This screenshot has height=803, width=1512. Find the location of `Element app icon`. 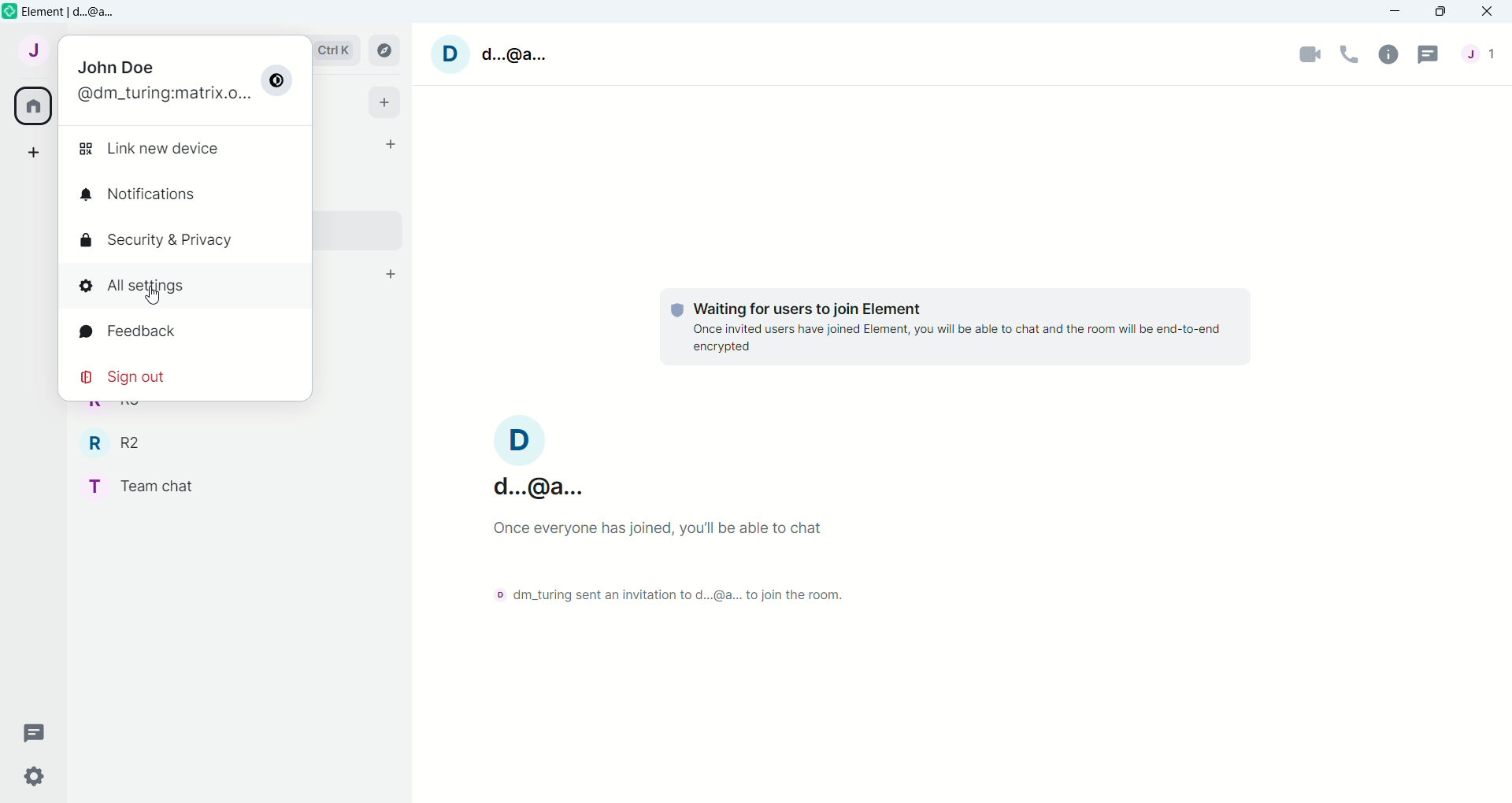

Element app icon is located at coordinates (9, 12).